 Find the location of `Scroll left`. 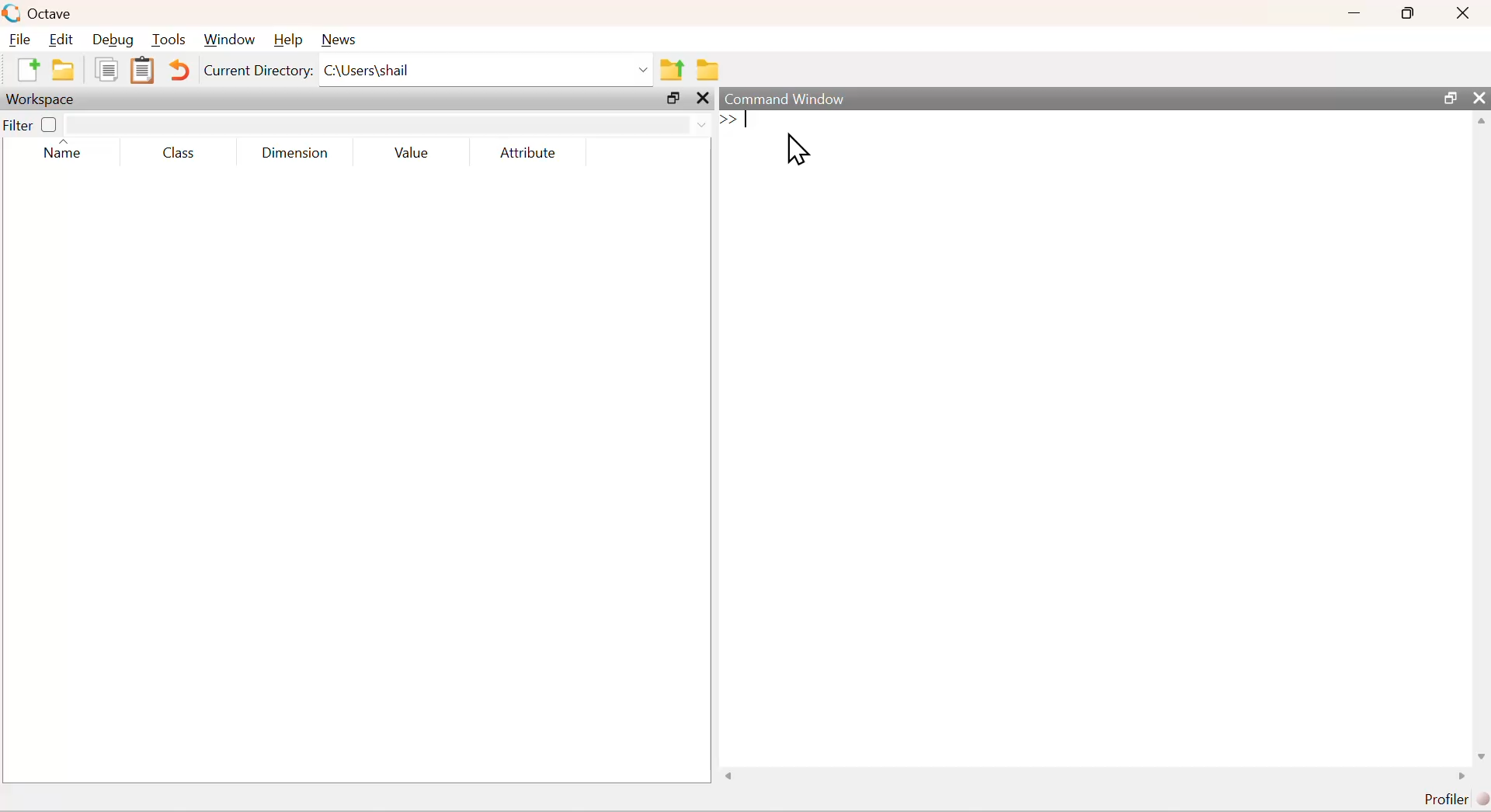

Scroll left is located at coordinates (731, 777).